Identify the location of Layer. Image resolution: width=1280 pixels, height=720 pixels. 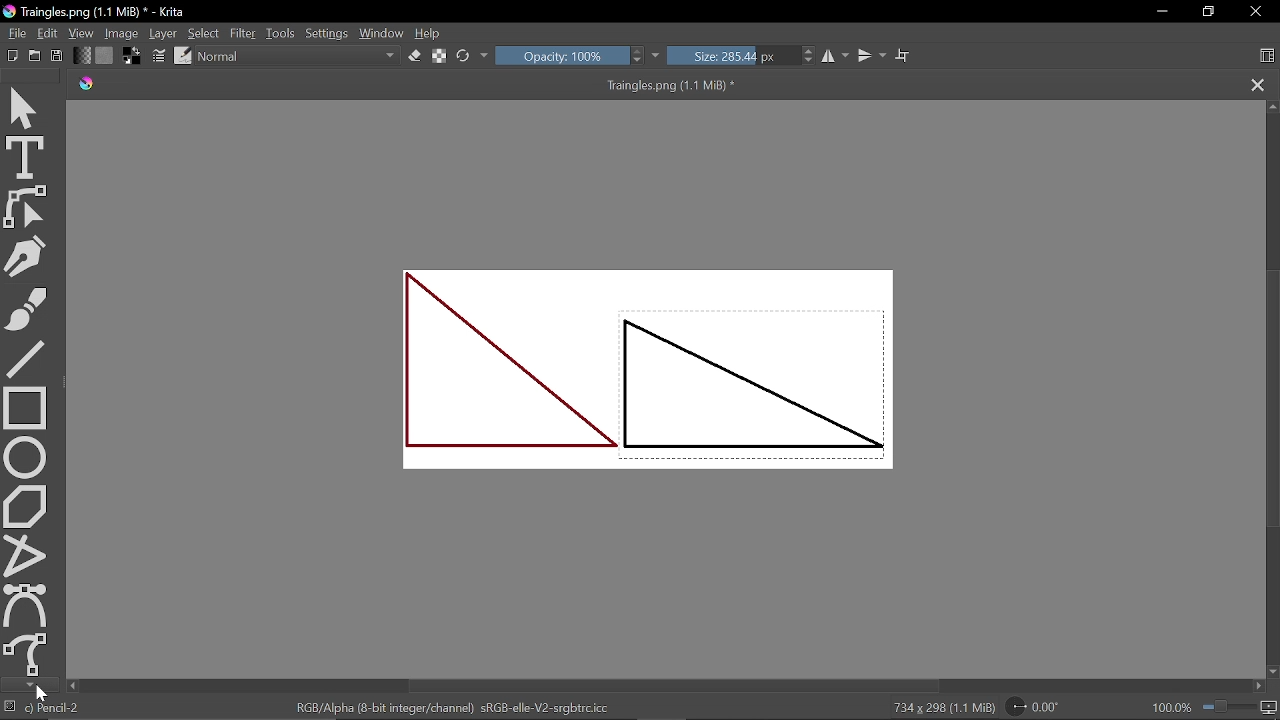
(164, 34).